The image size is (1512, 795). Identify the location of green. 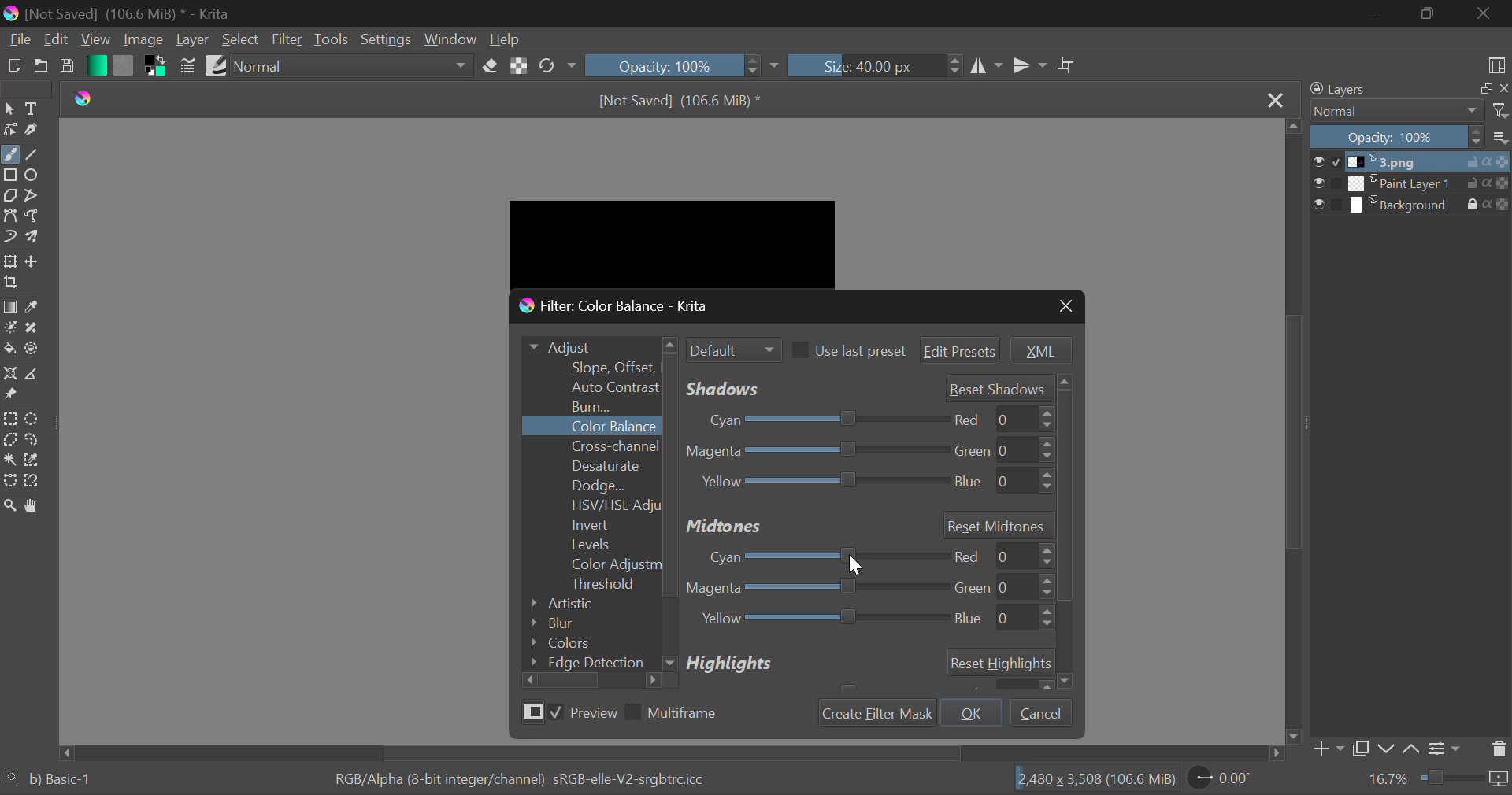
(1004, 449).